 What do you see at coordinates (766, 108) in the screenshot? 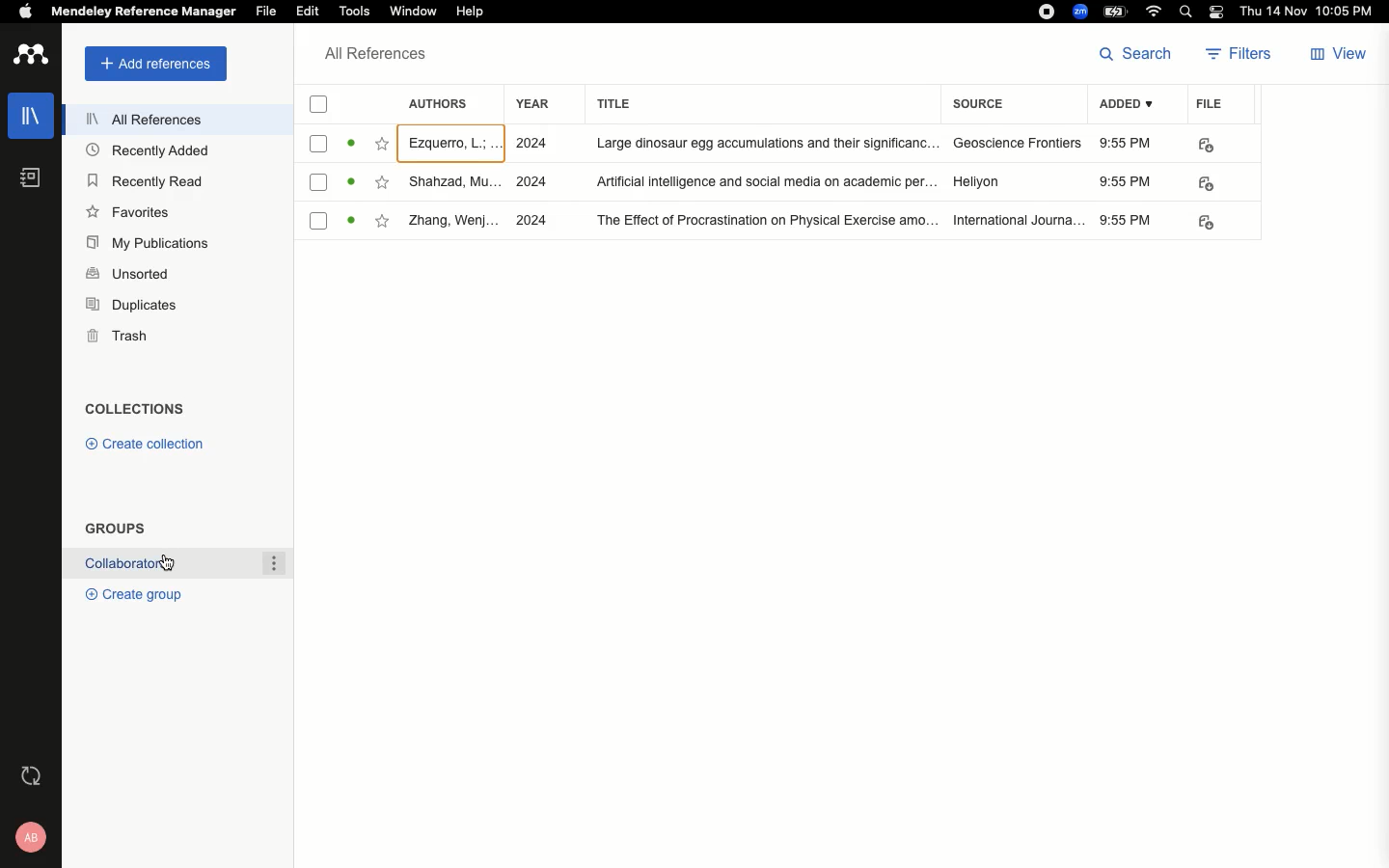
I see `Title` at bounding box center [766, 108].